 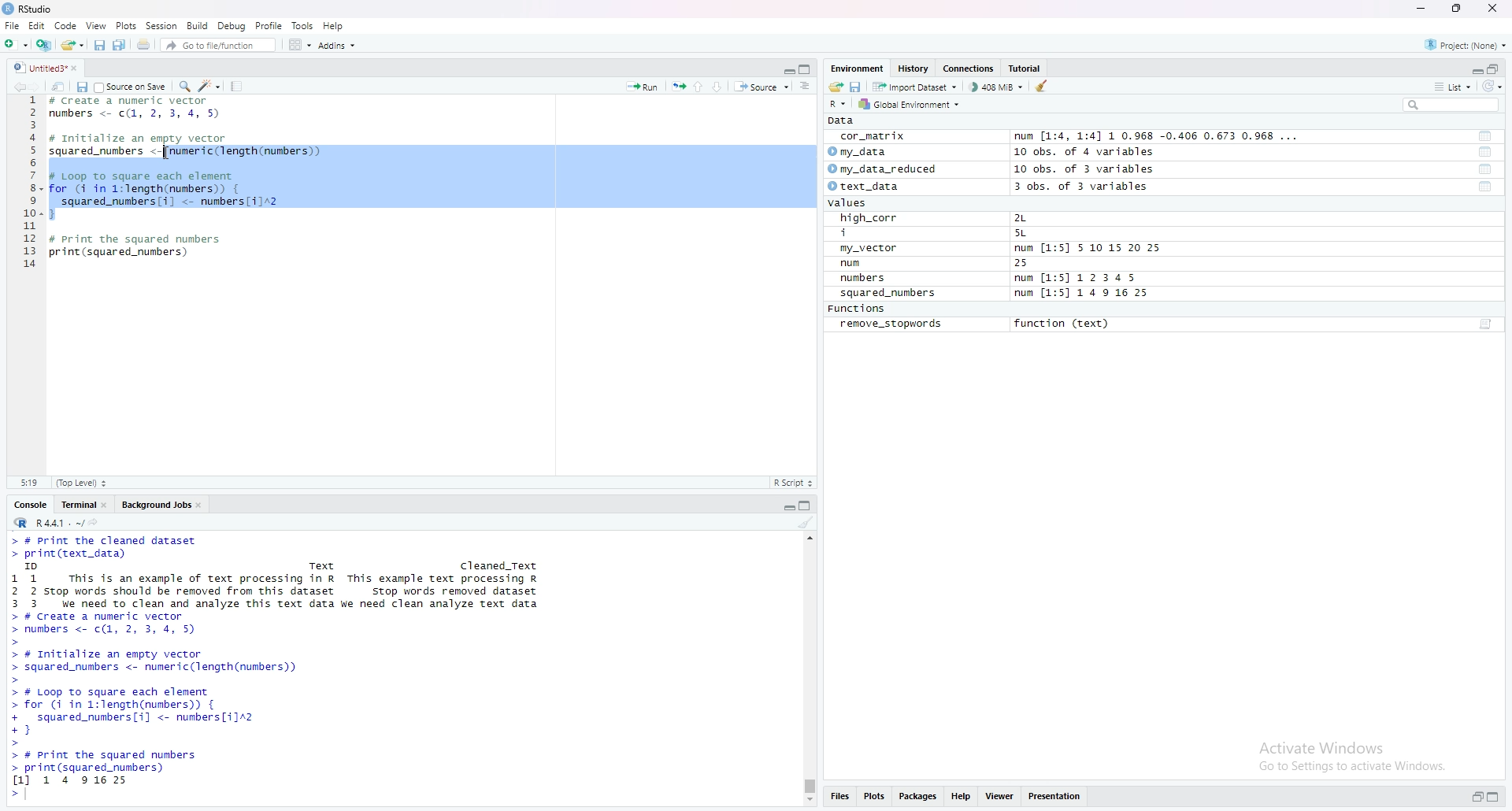 I want to click on 408 MiB, so click(x=995, y=87).